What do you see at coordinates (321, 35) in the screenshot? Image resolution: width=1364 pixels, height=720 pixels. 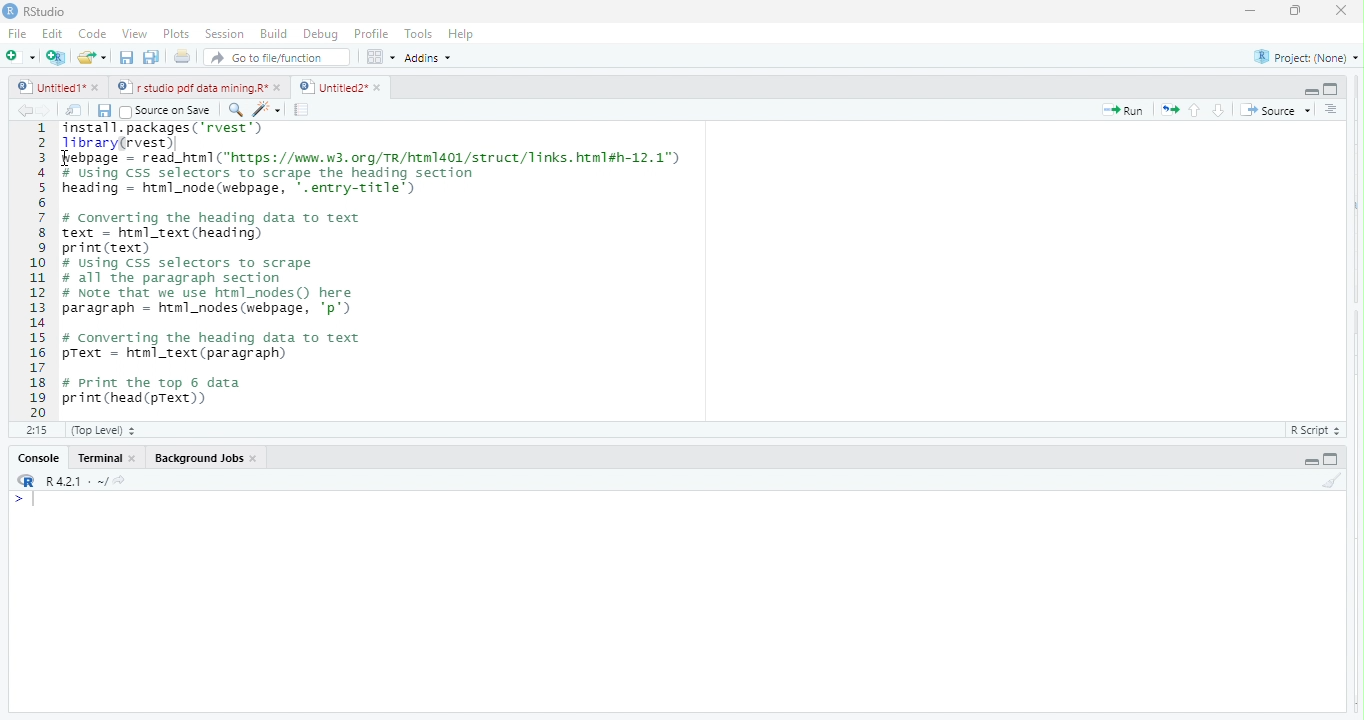 I see `Debug` at bounding box center [321, 35].